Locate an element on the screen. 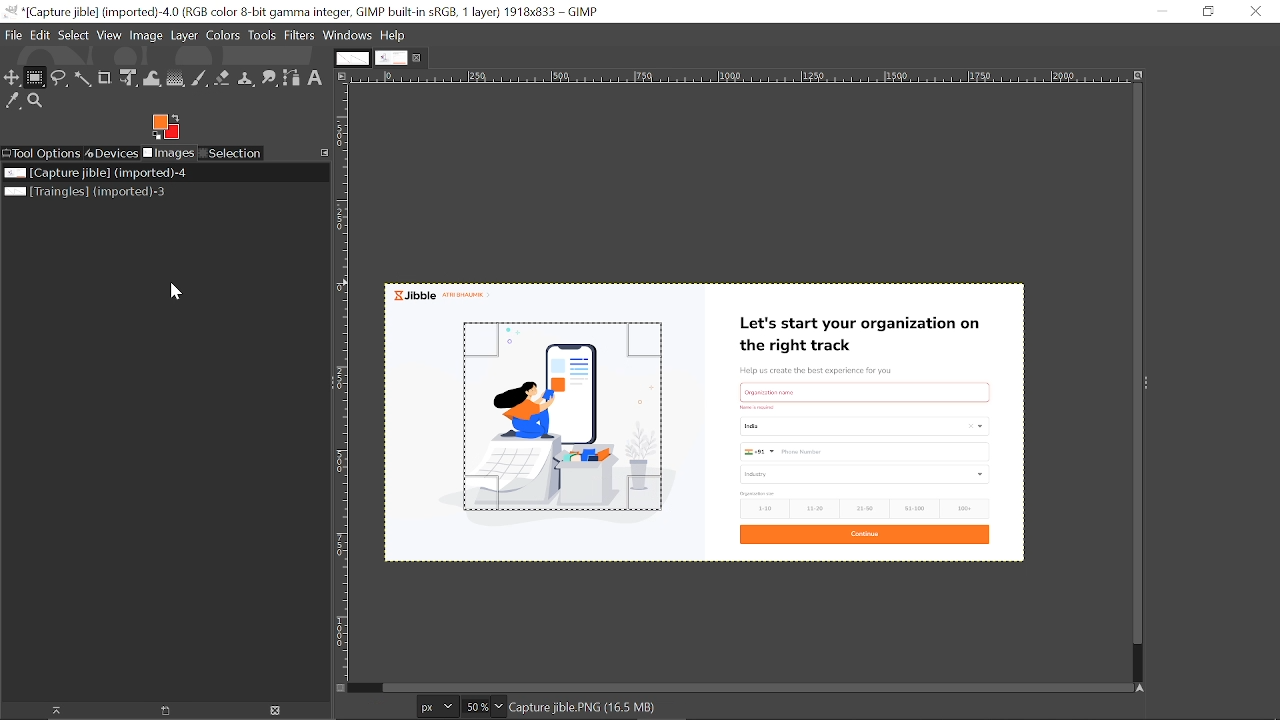  Paths tool is located at coordinates (292, 78).